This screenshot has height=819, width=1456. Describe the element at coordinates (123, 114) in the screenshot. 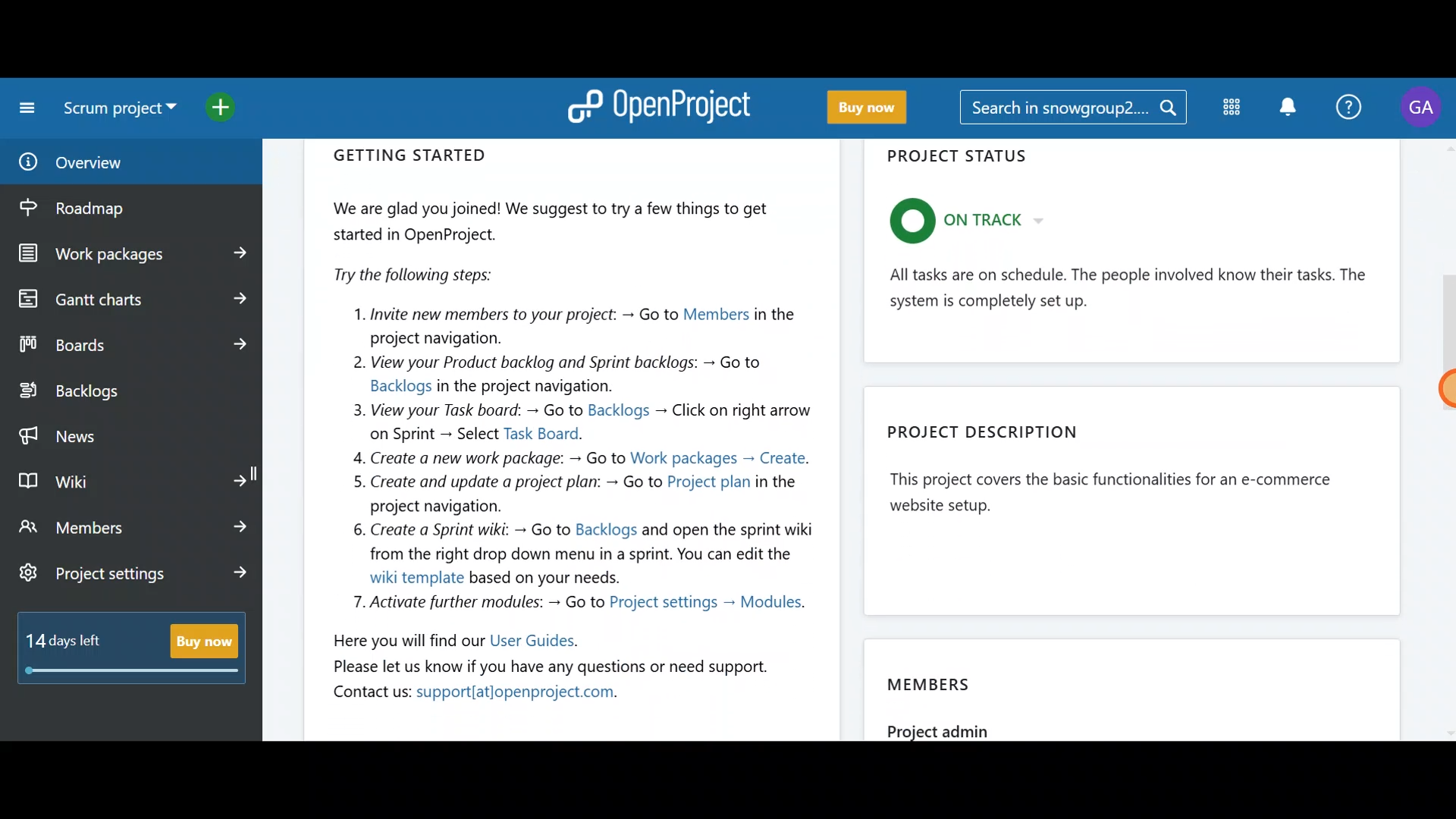

I see `Select a project` at that location.